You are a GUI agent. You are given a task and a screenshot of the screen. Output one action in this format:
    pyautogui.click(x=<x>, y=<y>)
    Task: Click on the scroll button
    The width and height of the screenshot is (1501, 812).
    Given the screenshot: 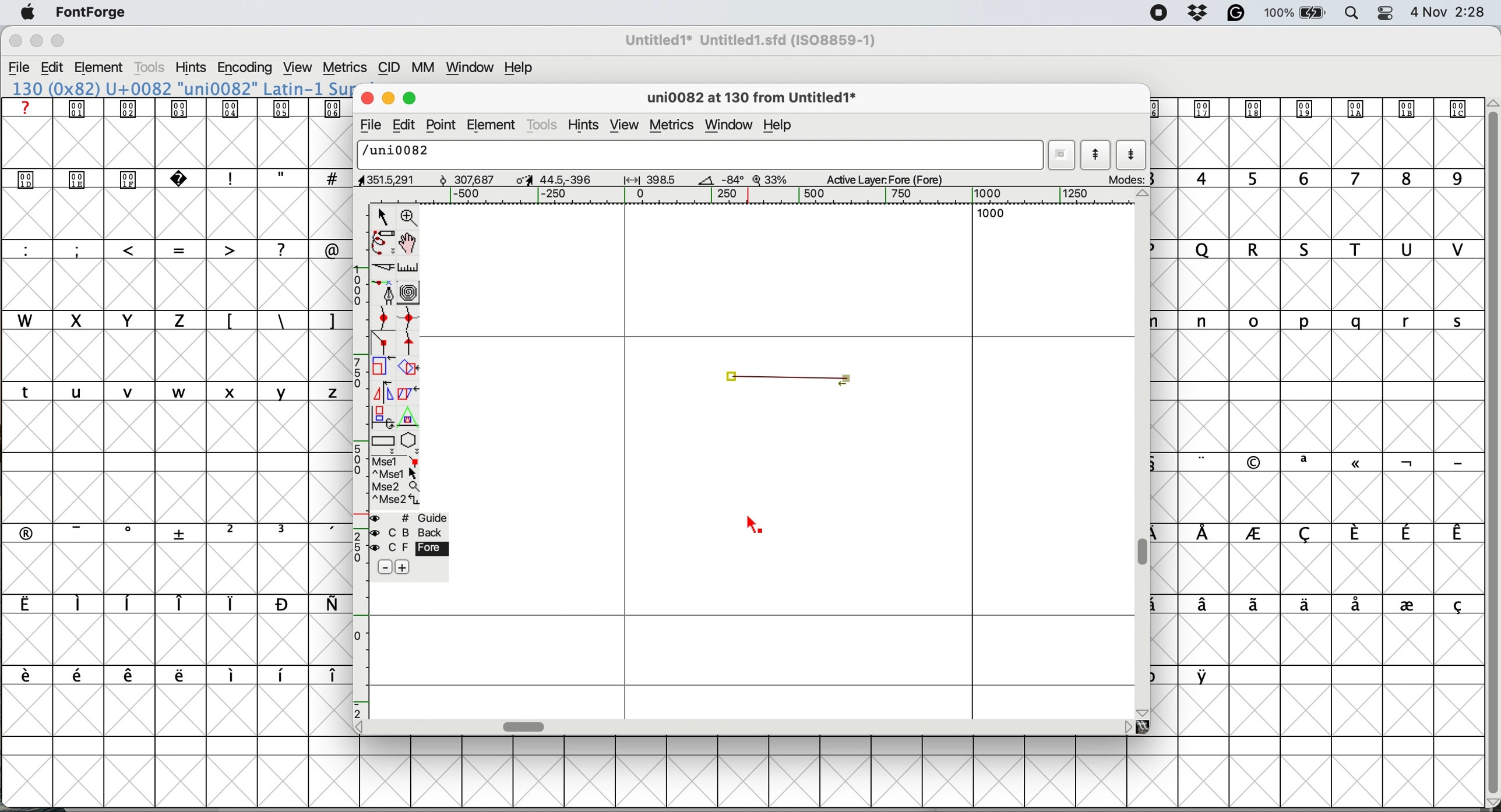 What is the action you would take?
    pyautogui.click(x=1144, y=195)
    